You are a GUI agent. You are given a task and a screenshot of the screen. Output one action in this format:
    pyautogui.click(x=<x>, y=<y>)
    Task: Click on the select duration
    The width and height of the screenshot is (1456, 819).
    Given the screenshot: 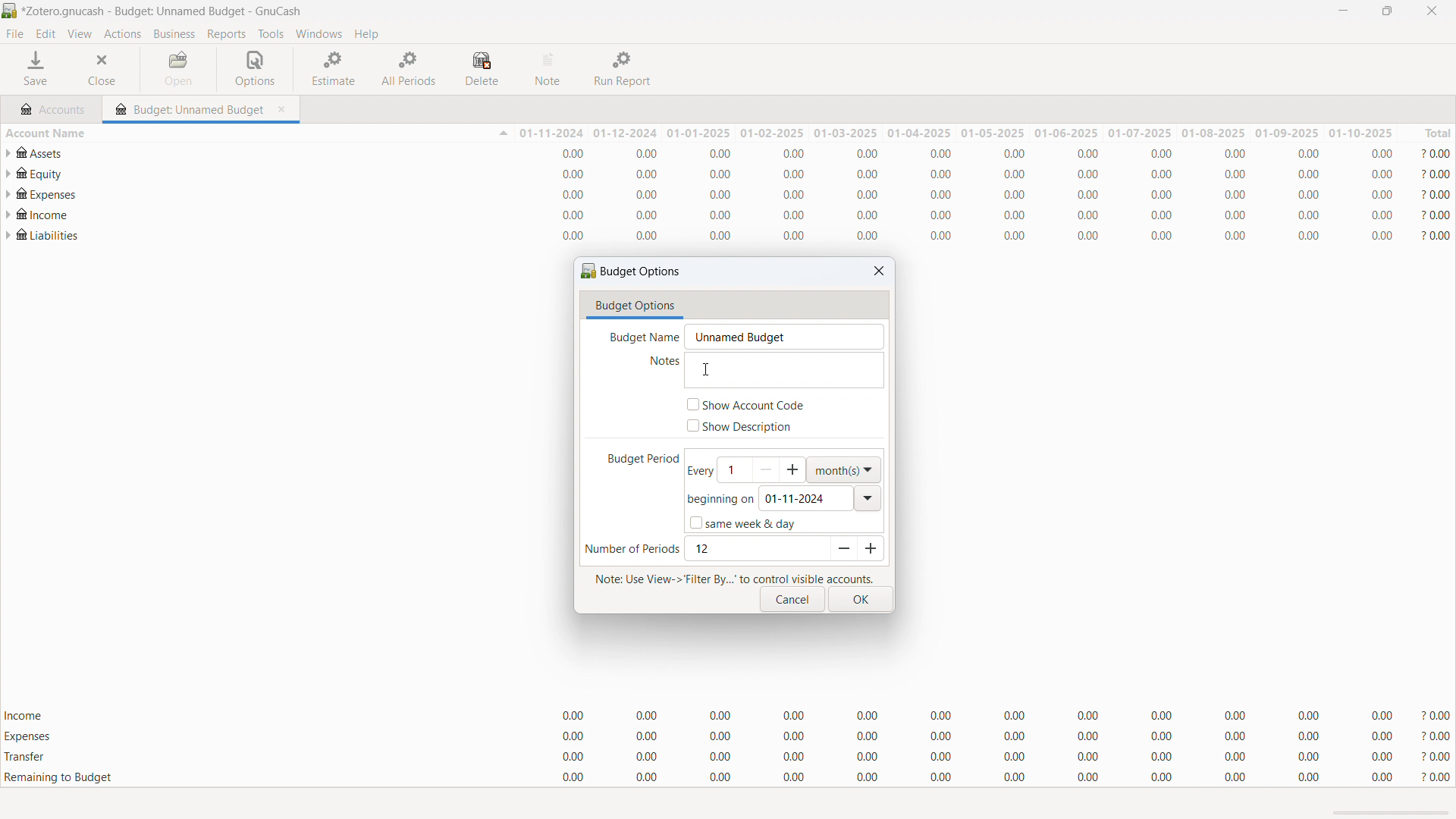 What is the action you would take?
    pyautogui.click(x=844, y=470)
    